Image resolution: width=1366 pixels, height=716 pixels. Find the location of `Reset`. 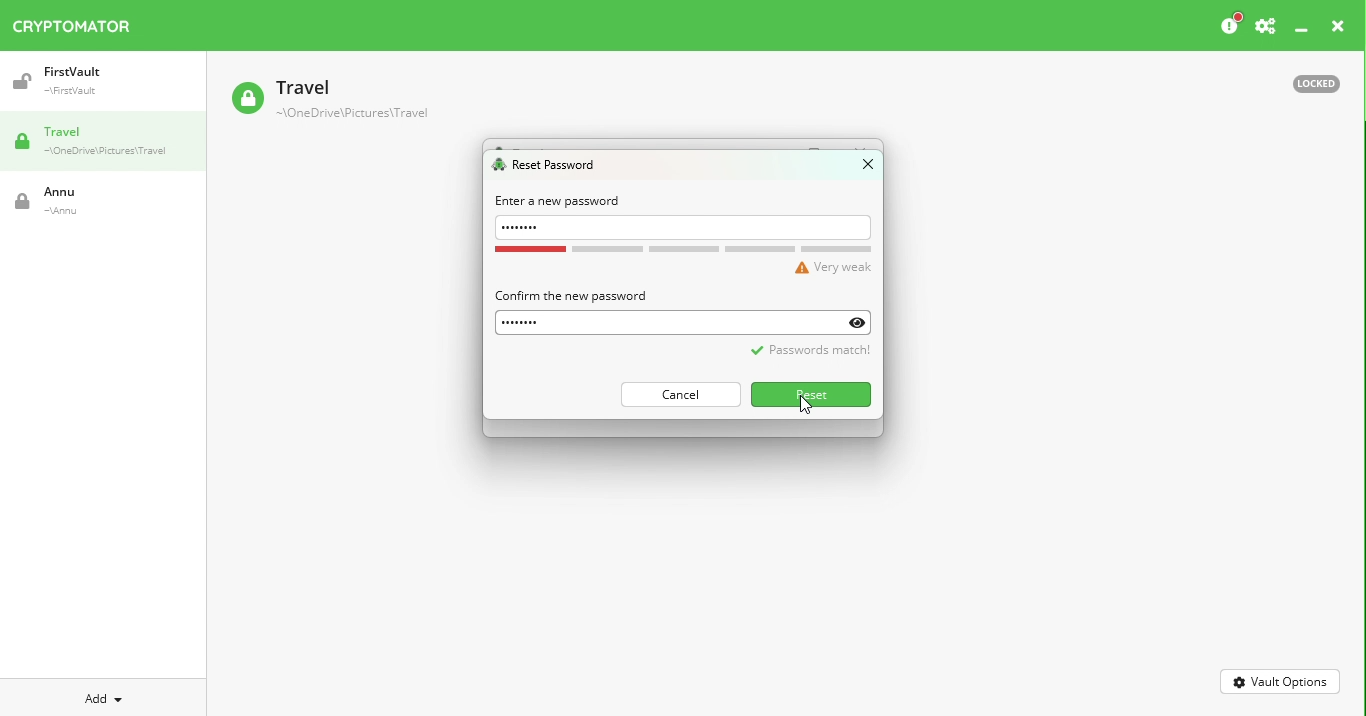

Reset is located at coordinates (813, 394).